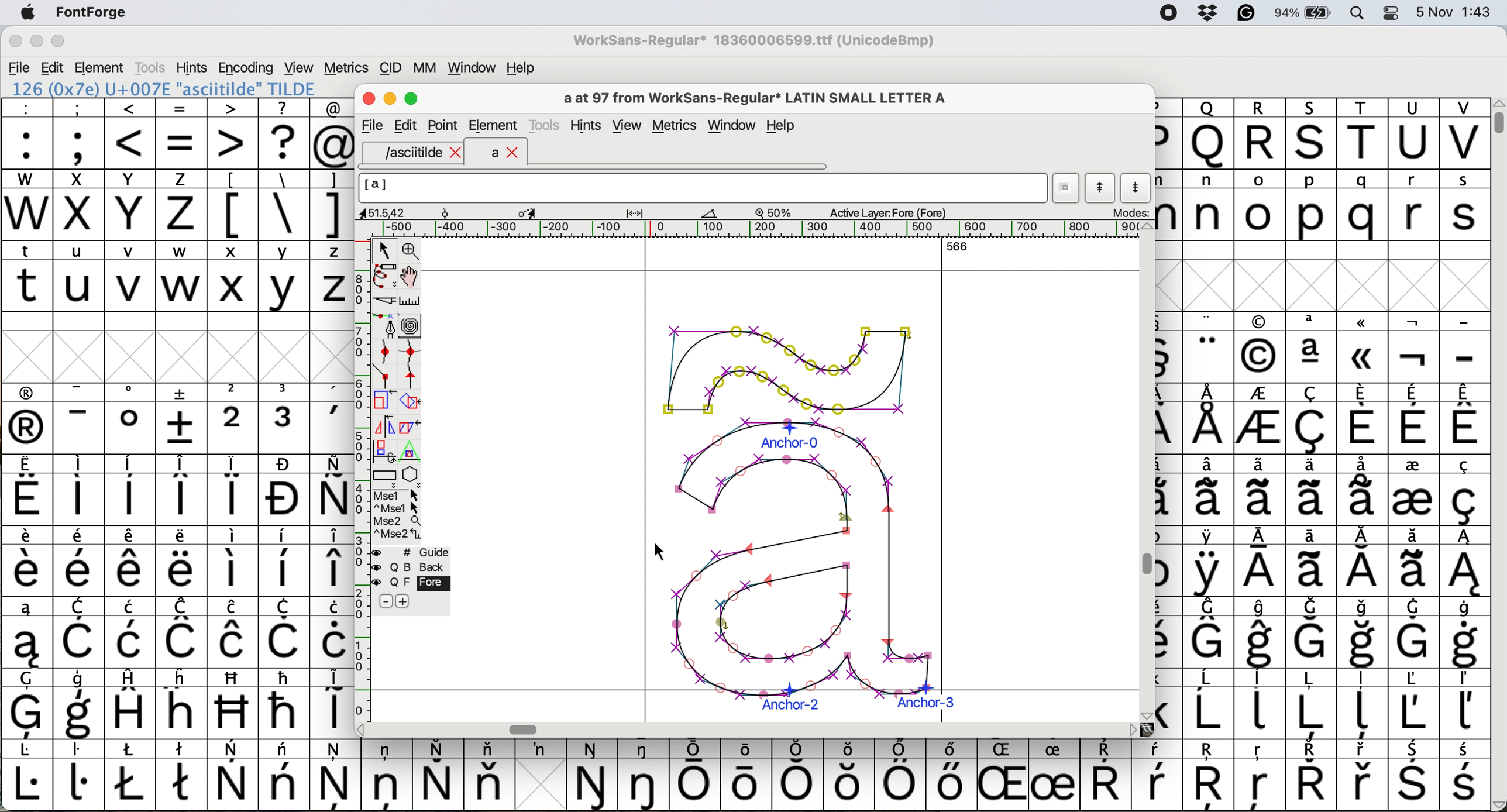 The height and width of the screenshot is (812, 1507). I want to click on add, so click(404, 601).